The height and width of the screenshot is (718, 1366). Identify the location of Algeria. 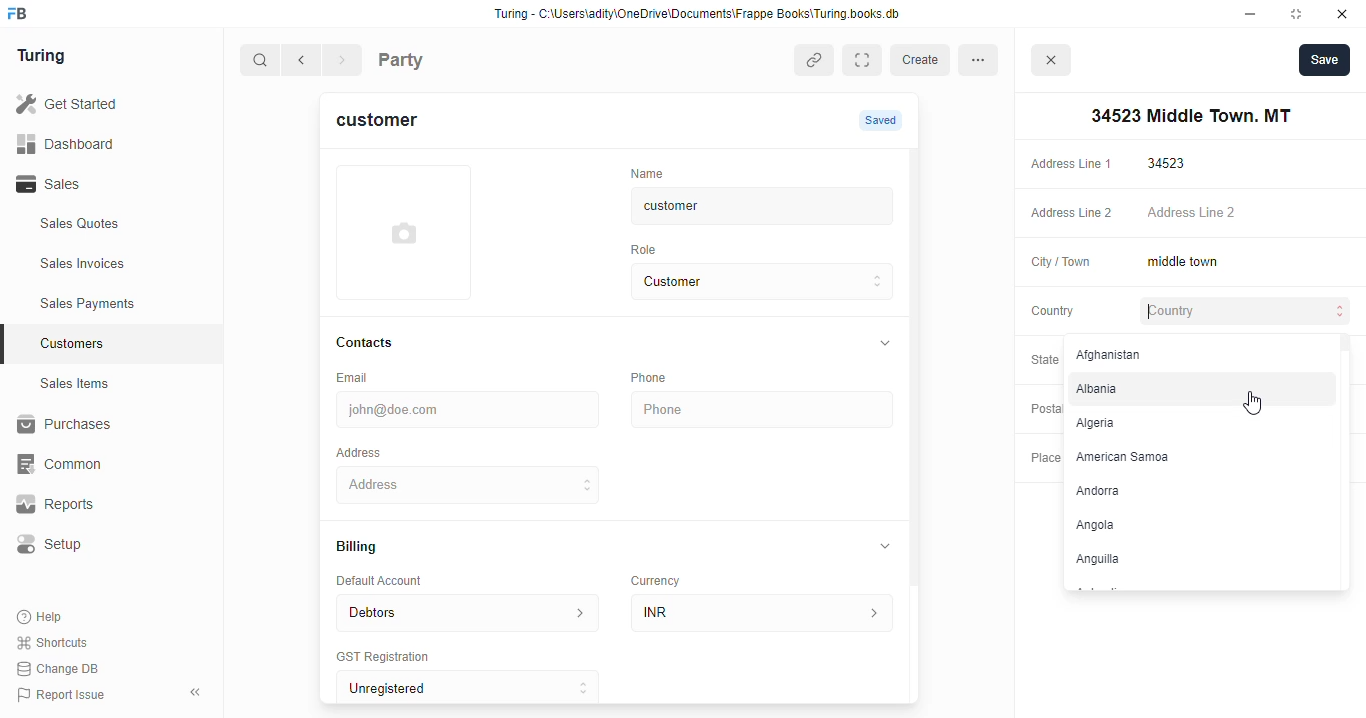
(1196, 426).